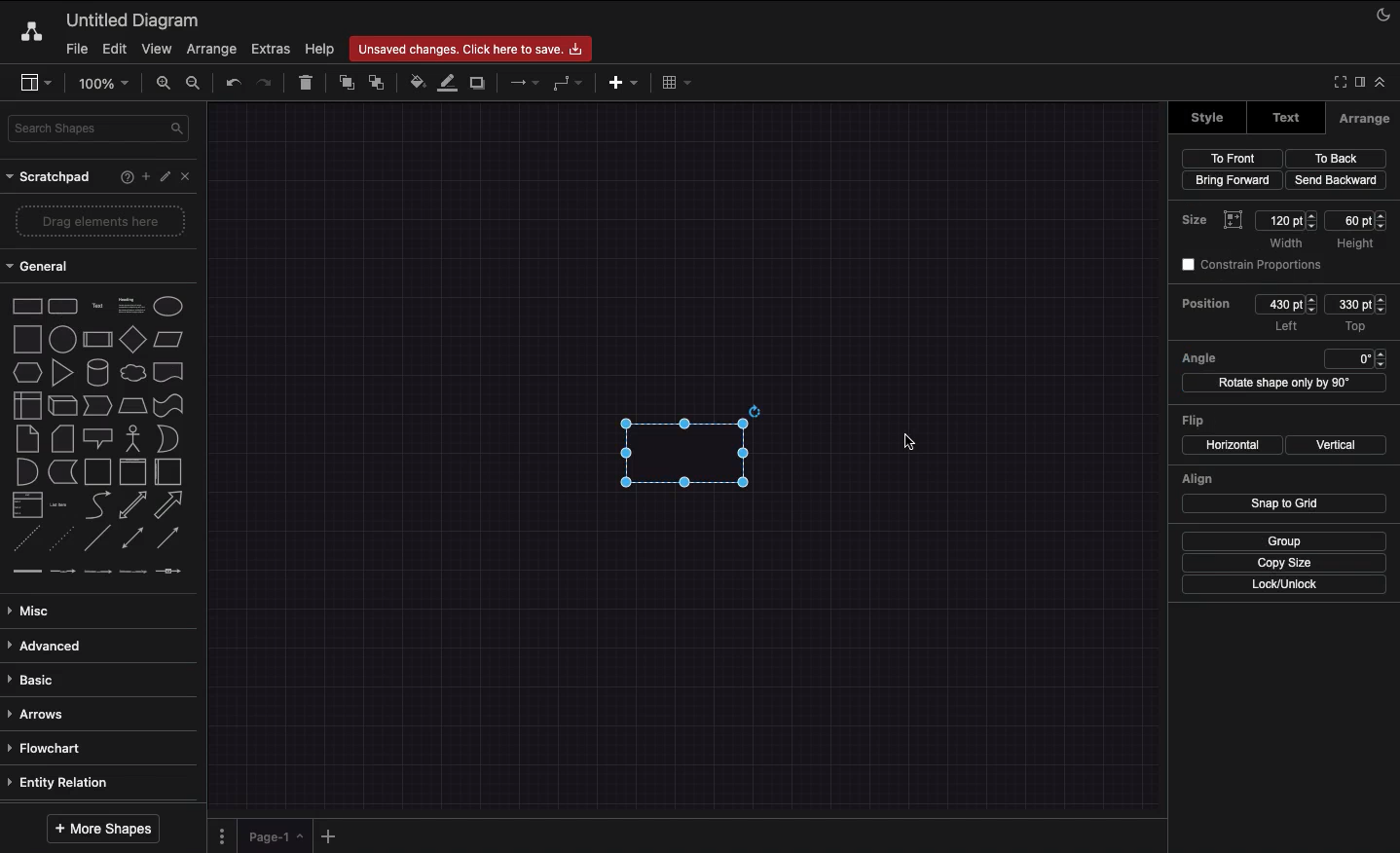 This screenshot has width=1400, height=853. Describe the element at coordinates (43, 265) in the screenshot. I see `General` at that location.